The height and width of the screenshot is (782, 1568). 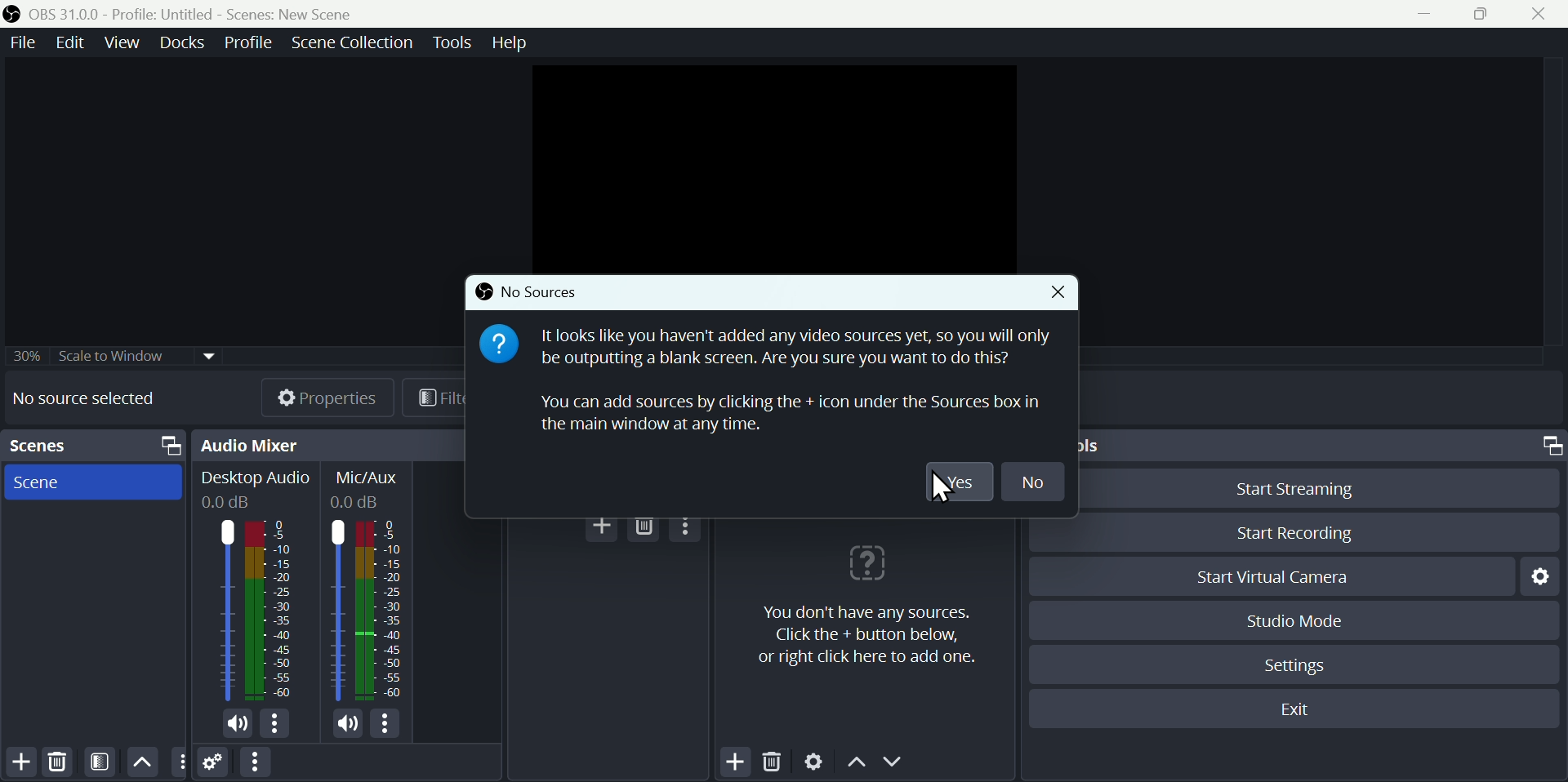 What do you see at coordinates (1310, 489) in the screenshot?
I see `Start streaming ` at bounding box center [1310, 489].